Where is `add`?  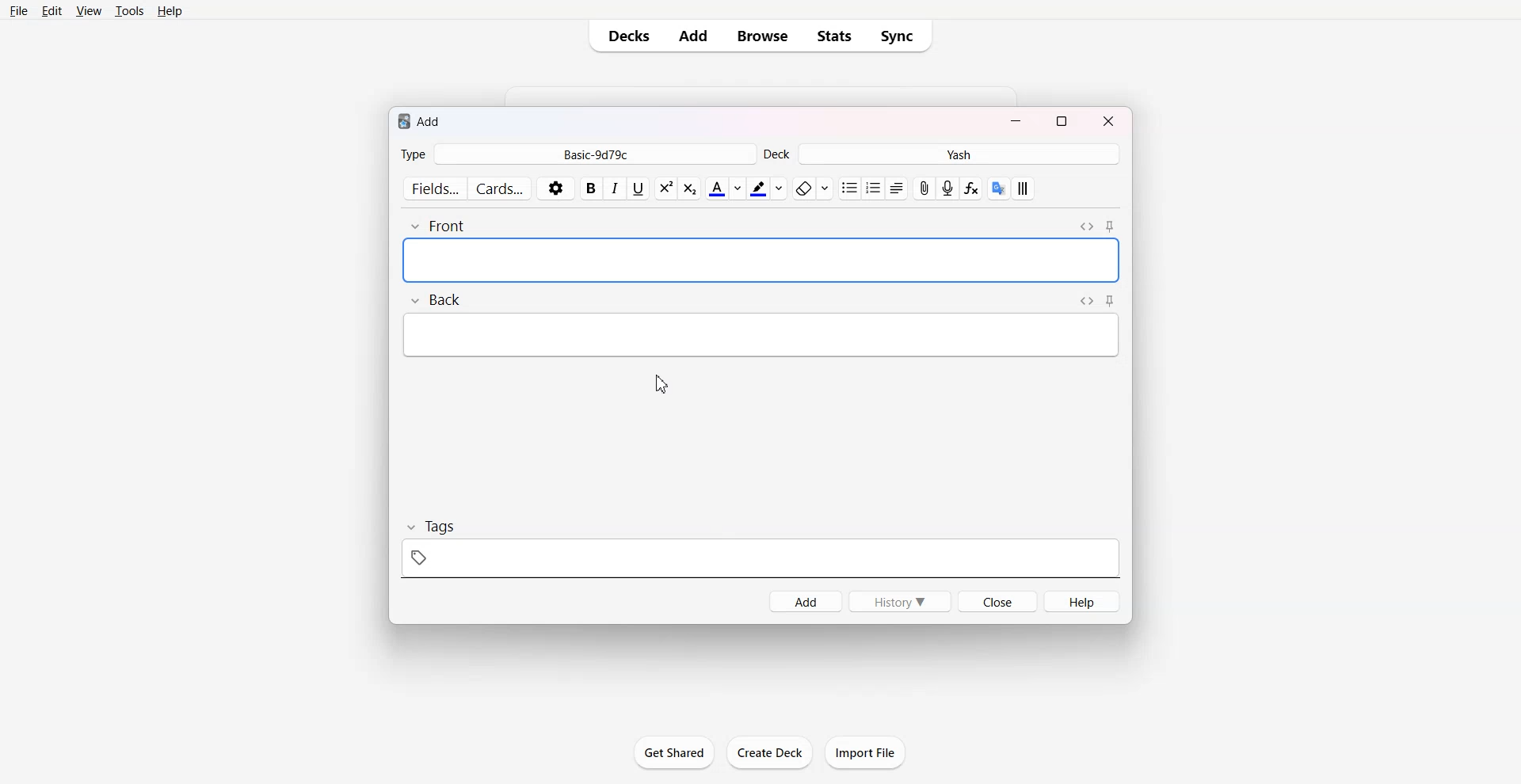 add is located at coordinates (421, 121).